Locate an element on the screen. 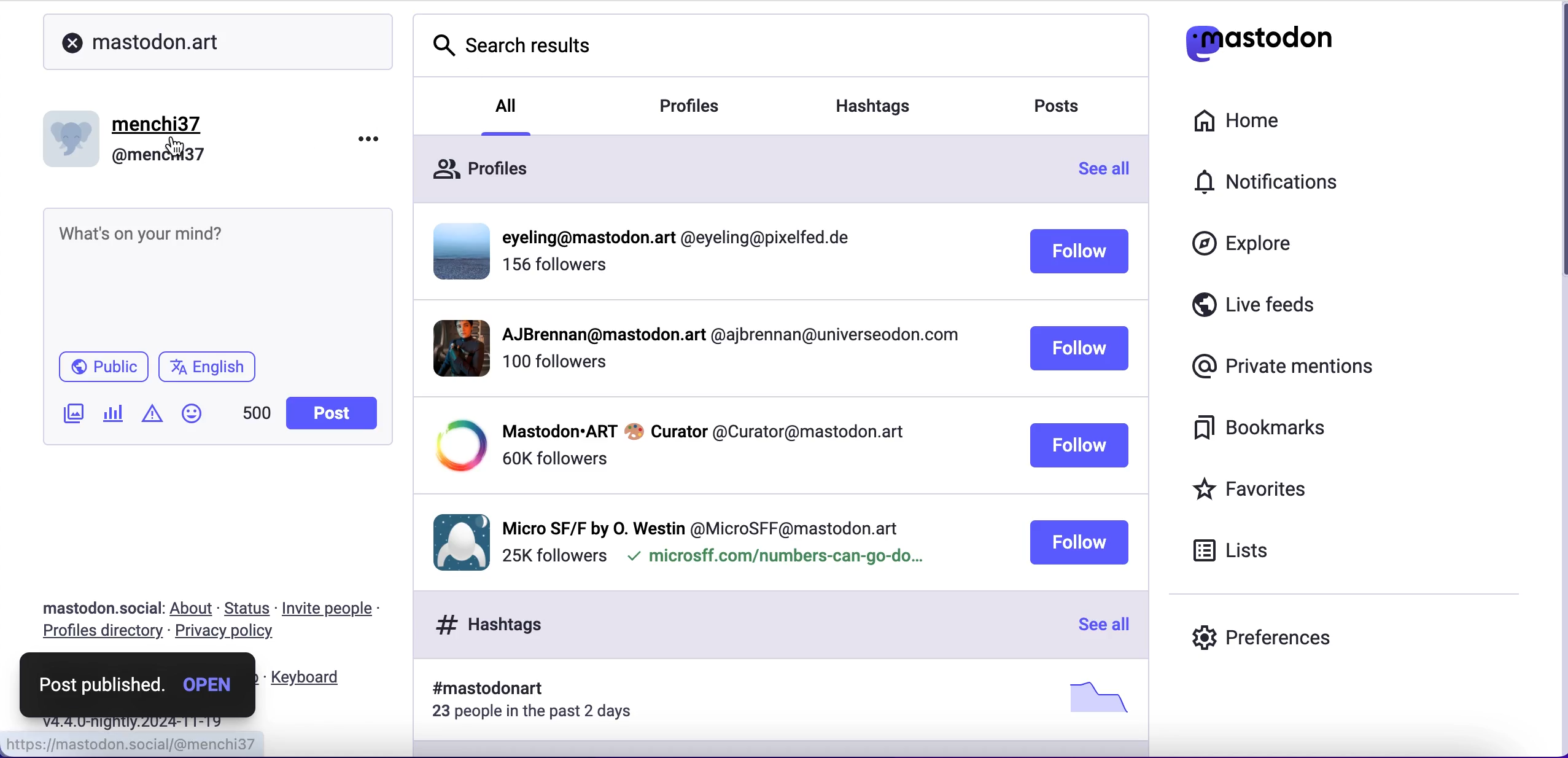  mastodon.art is located at coordinates (141, 34).